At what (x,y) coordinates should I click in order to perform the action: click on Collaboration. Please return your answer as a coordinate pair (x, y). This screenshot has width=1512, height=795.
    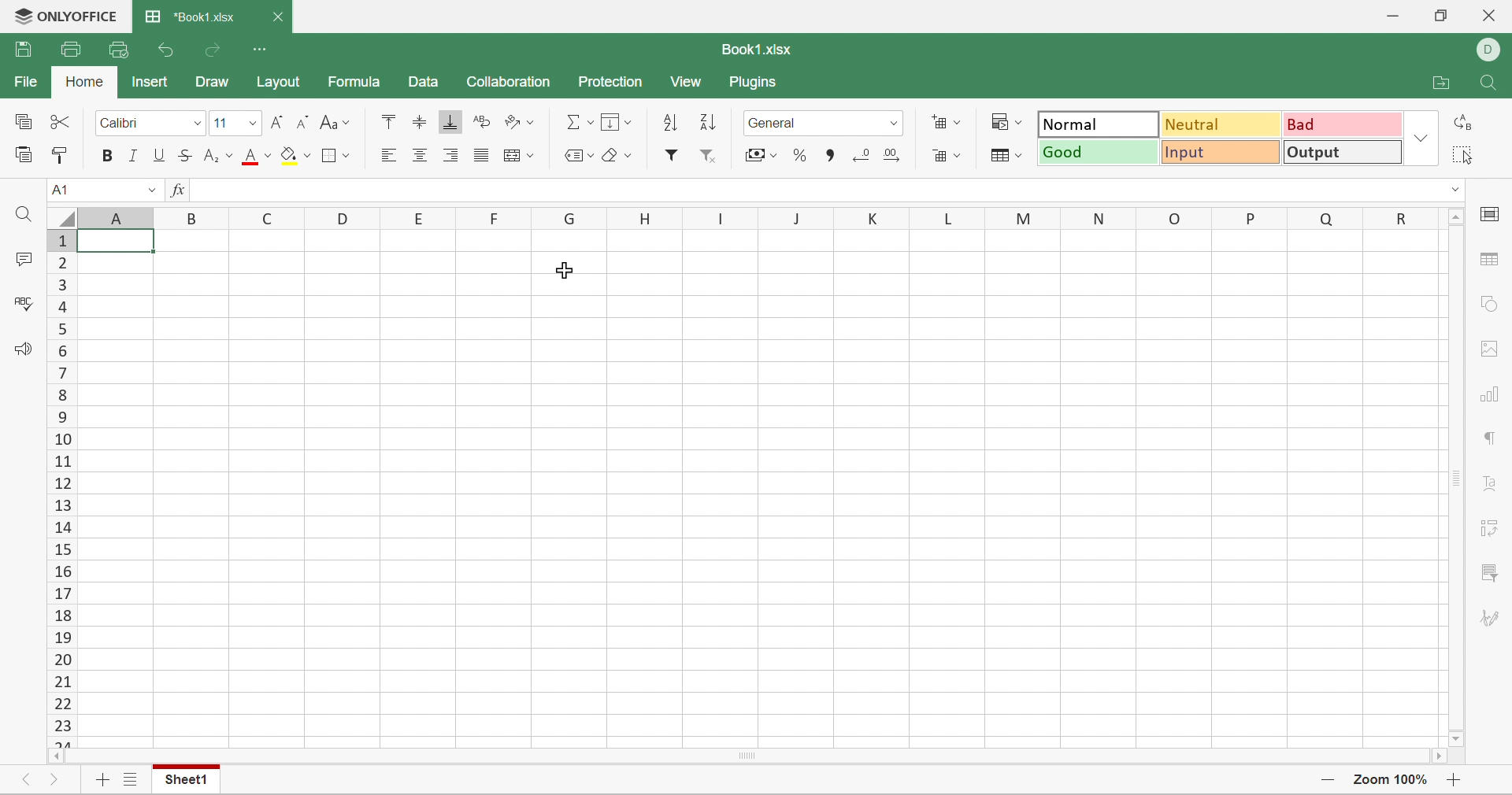
    Looking at the image, I should click on (508, 83).